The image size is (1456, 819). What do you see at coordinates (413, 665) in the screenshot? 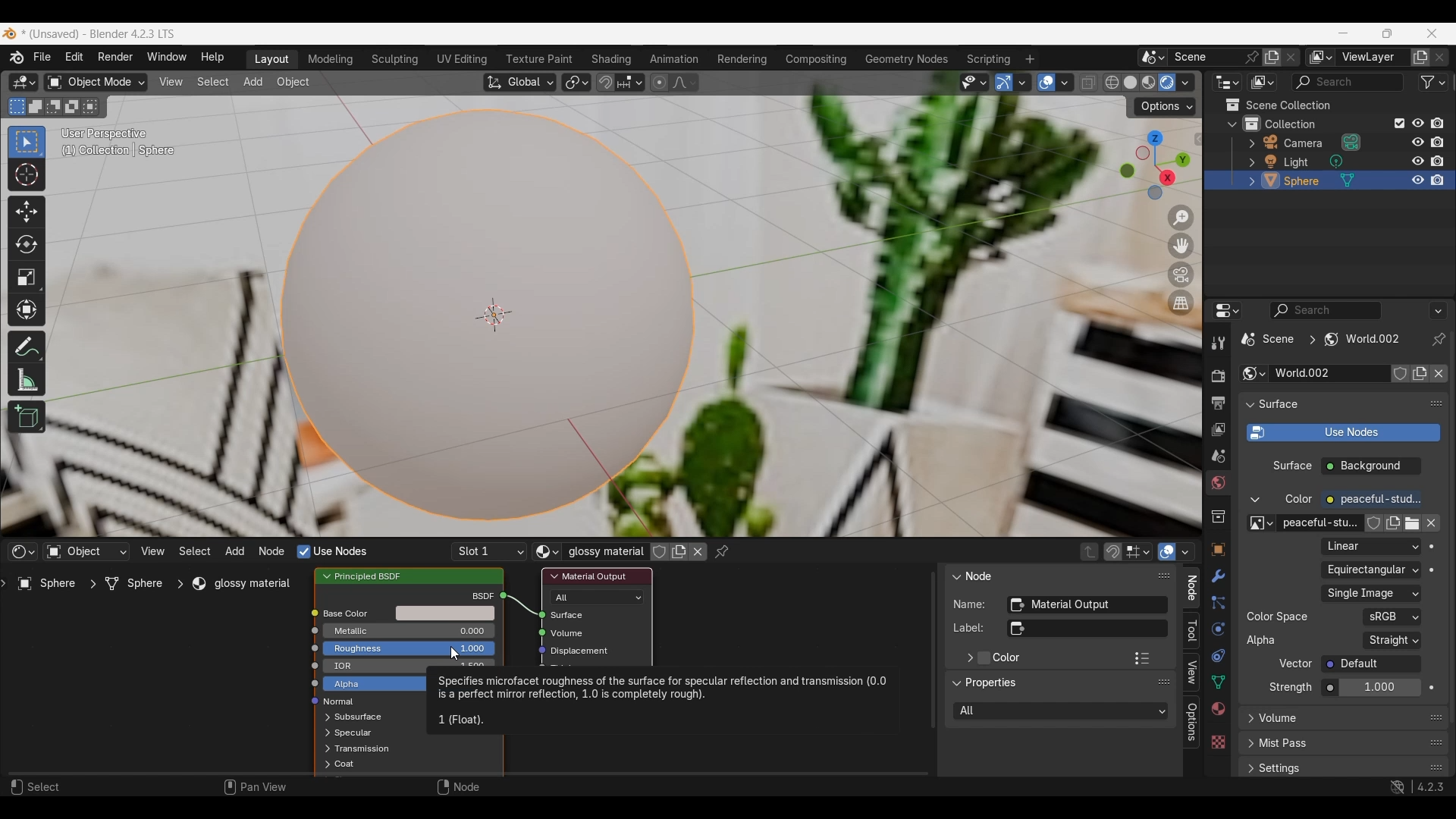
I see `IOR in base` at bounding box center [413, 665].